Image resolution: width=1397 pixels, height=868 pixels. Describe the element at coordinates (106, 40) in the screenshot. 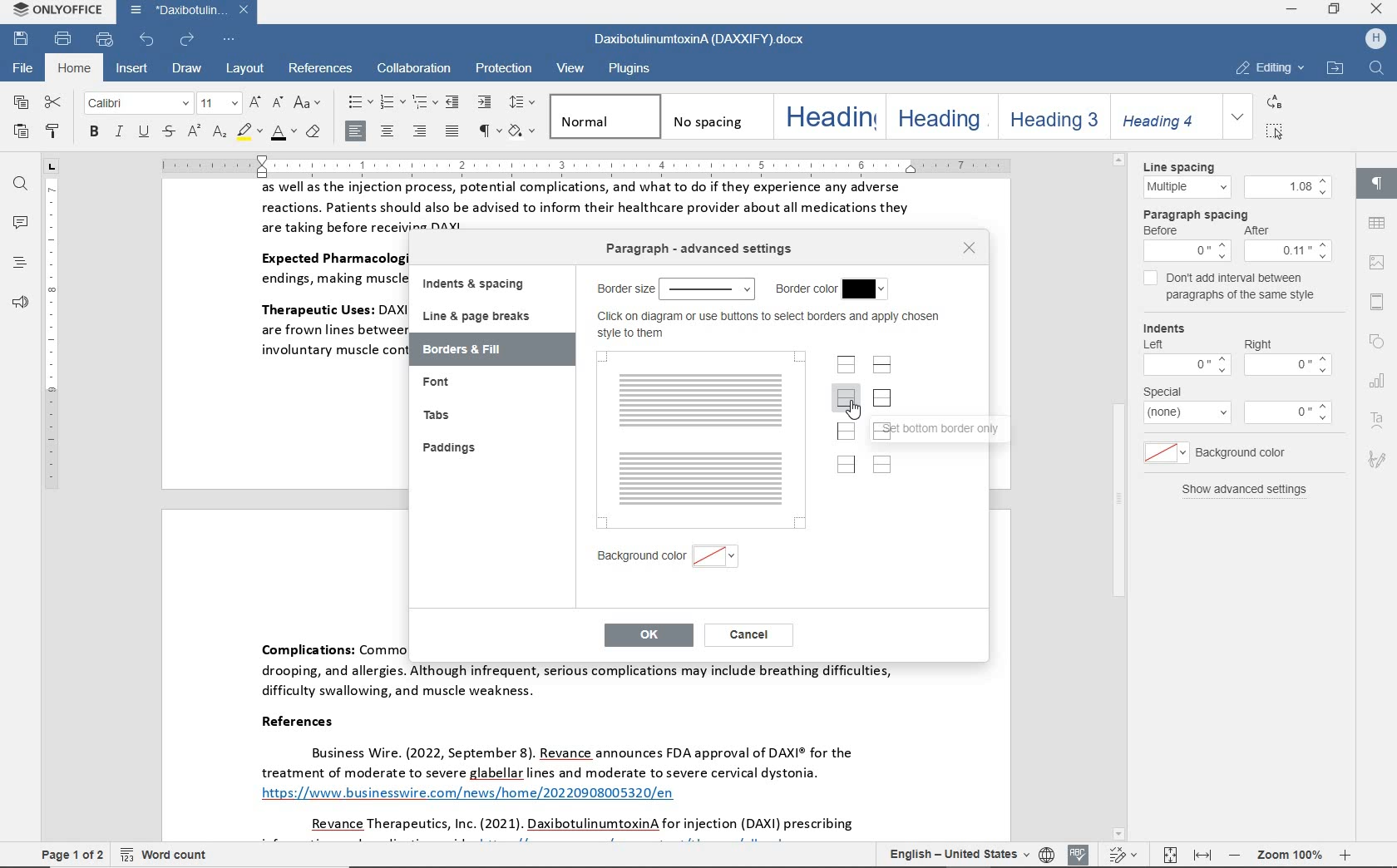

I see `quick print` at that location.